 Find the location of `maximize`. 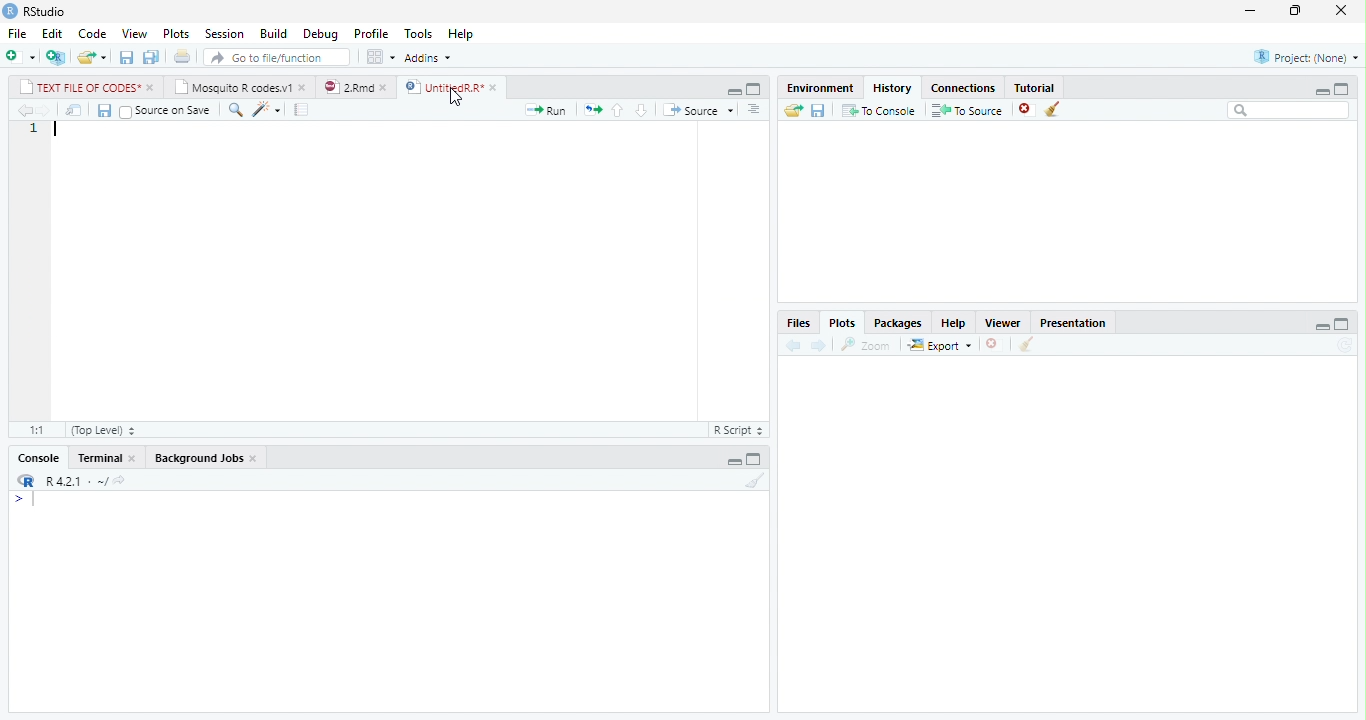

maximize is located at coordinates (1342, 323).